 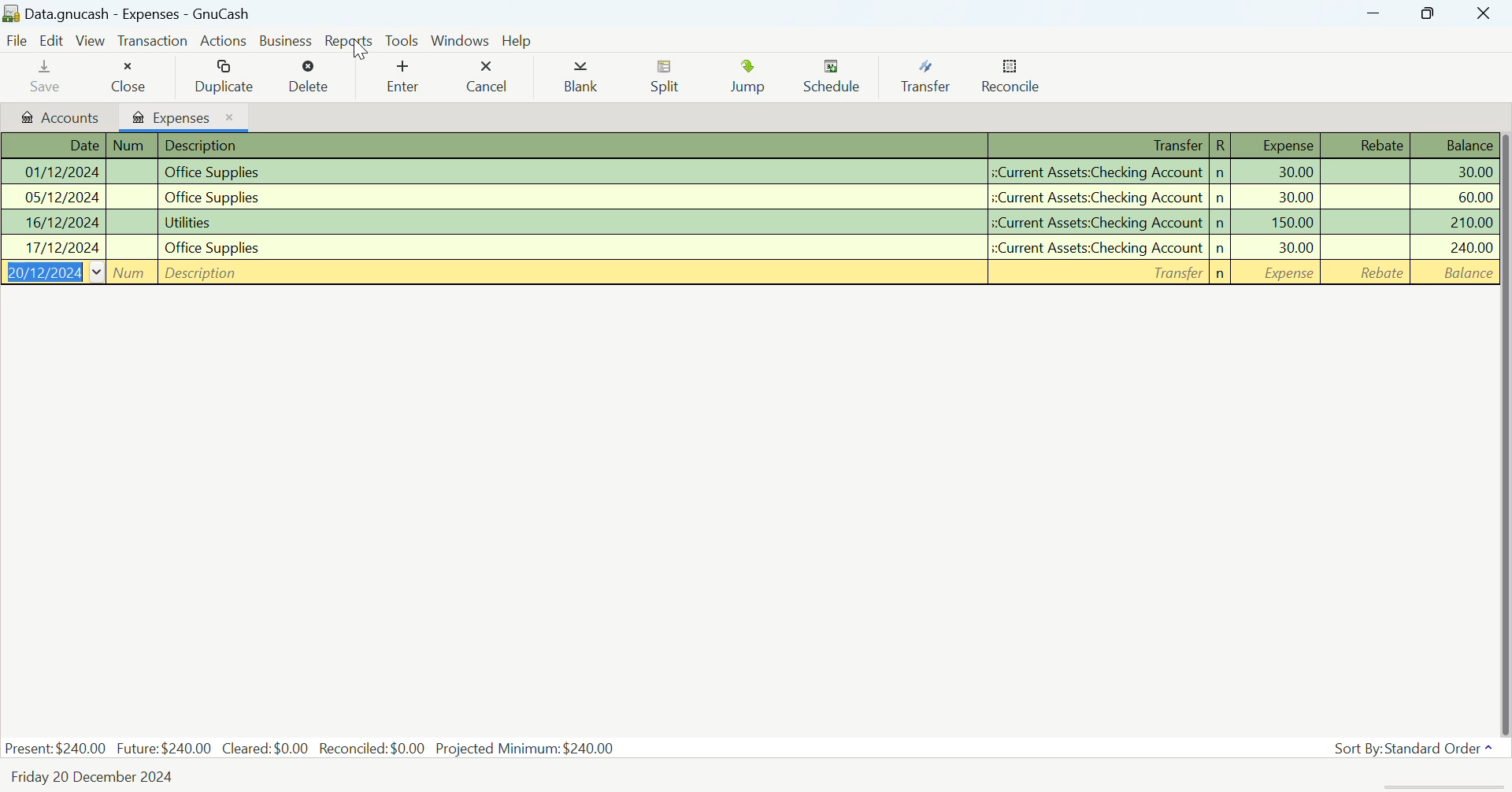 What do you see at coordinates (403, 42) in the screenshot?
I see `Tools` at bounding box center [403, 42].